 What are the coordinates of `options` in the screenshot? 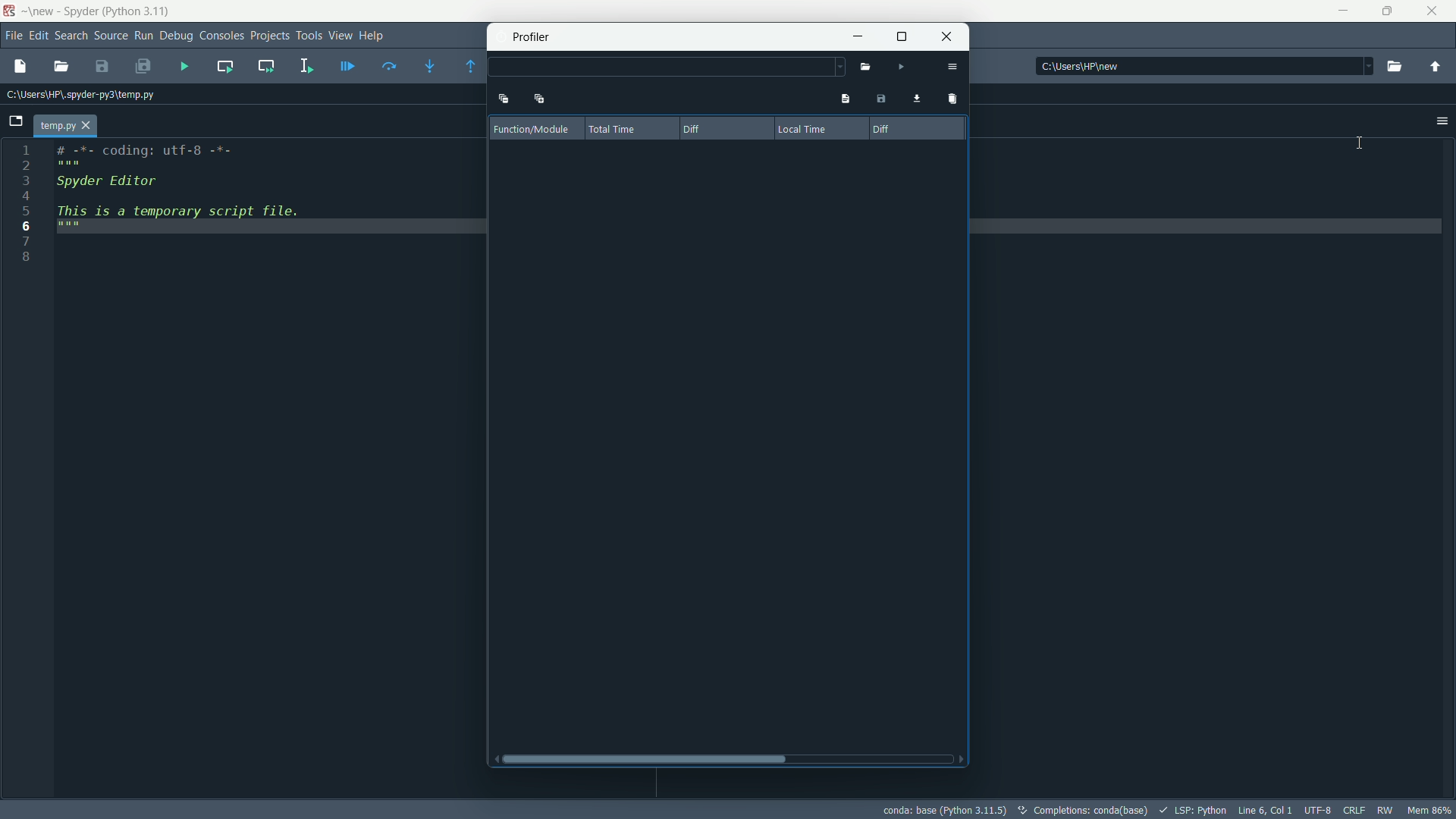 It's located at (952, 68).